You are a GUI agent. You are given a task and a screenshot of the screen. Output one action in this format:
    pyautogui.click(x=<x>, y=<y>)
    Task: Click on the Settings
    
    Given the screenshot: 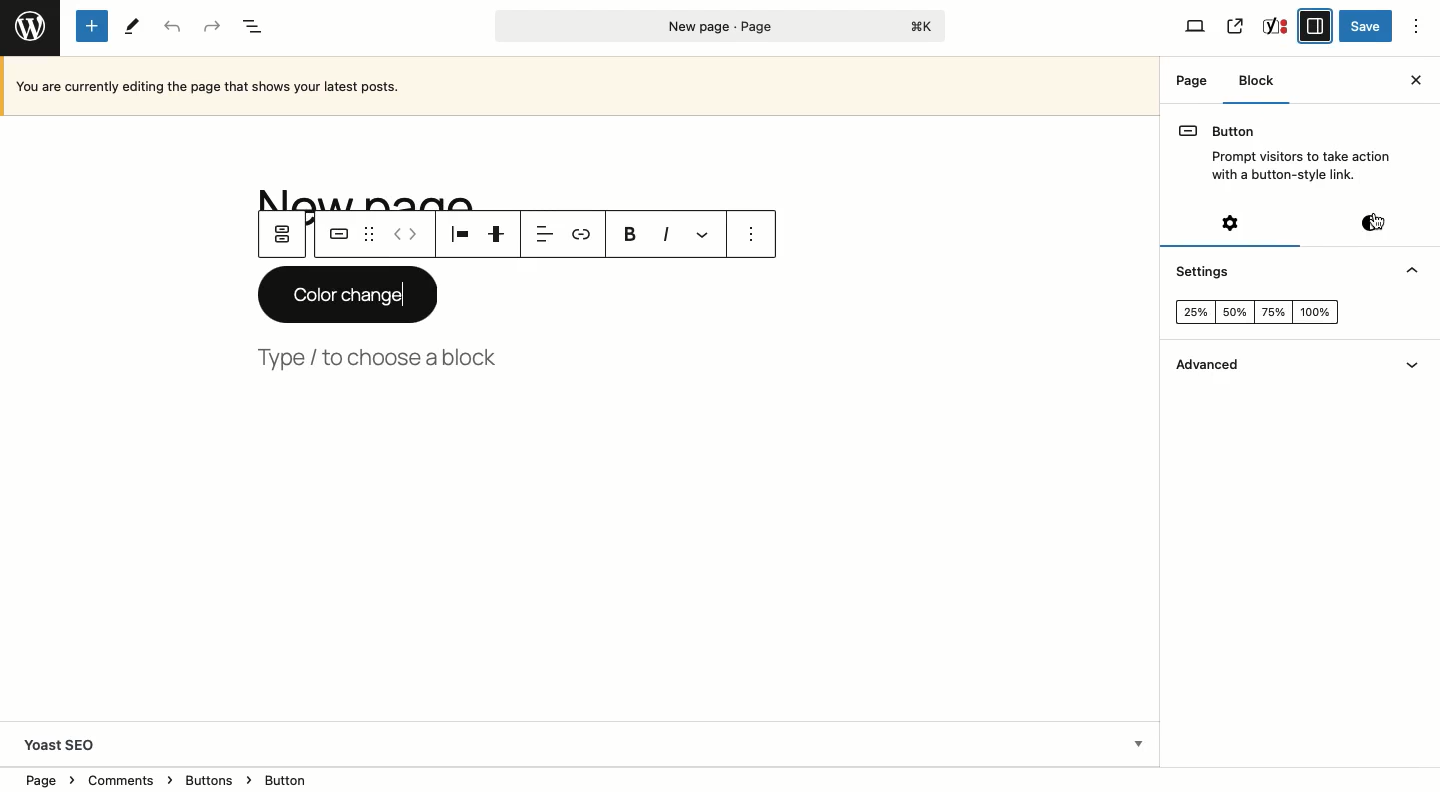 What is the action you would take?
    pyautogui.click(x=1232, y=222)
    